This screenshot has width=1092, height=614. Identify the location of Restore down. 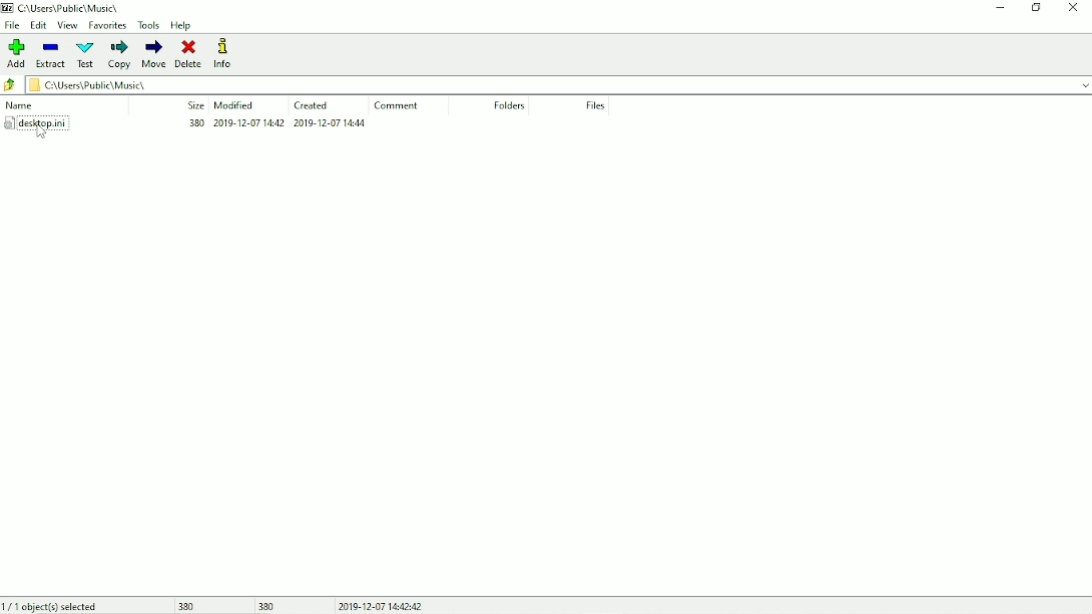
(1035, 8).